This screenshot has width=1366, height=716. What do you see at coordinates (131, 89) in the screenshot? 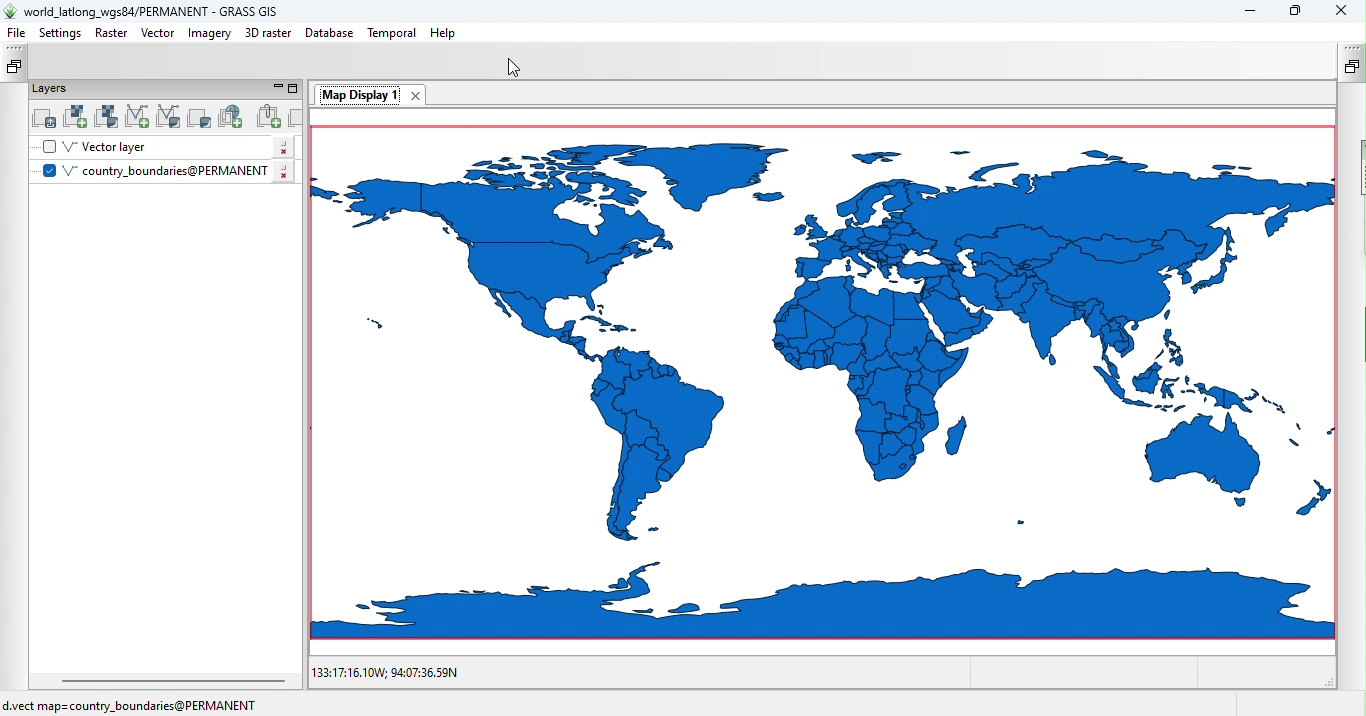
I see `Layers` at bounding box center [131, 89].